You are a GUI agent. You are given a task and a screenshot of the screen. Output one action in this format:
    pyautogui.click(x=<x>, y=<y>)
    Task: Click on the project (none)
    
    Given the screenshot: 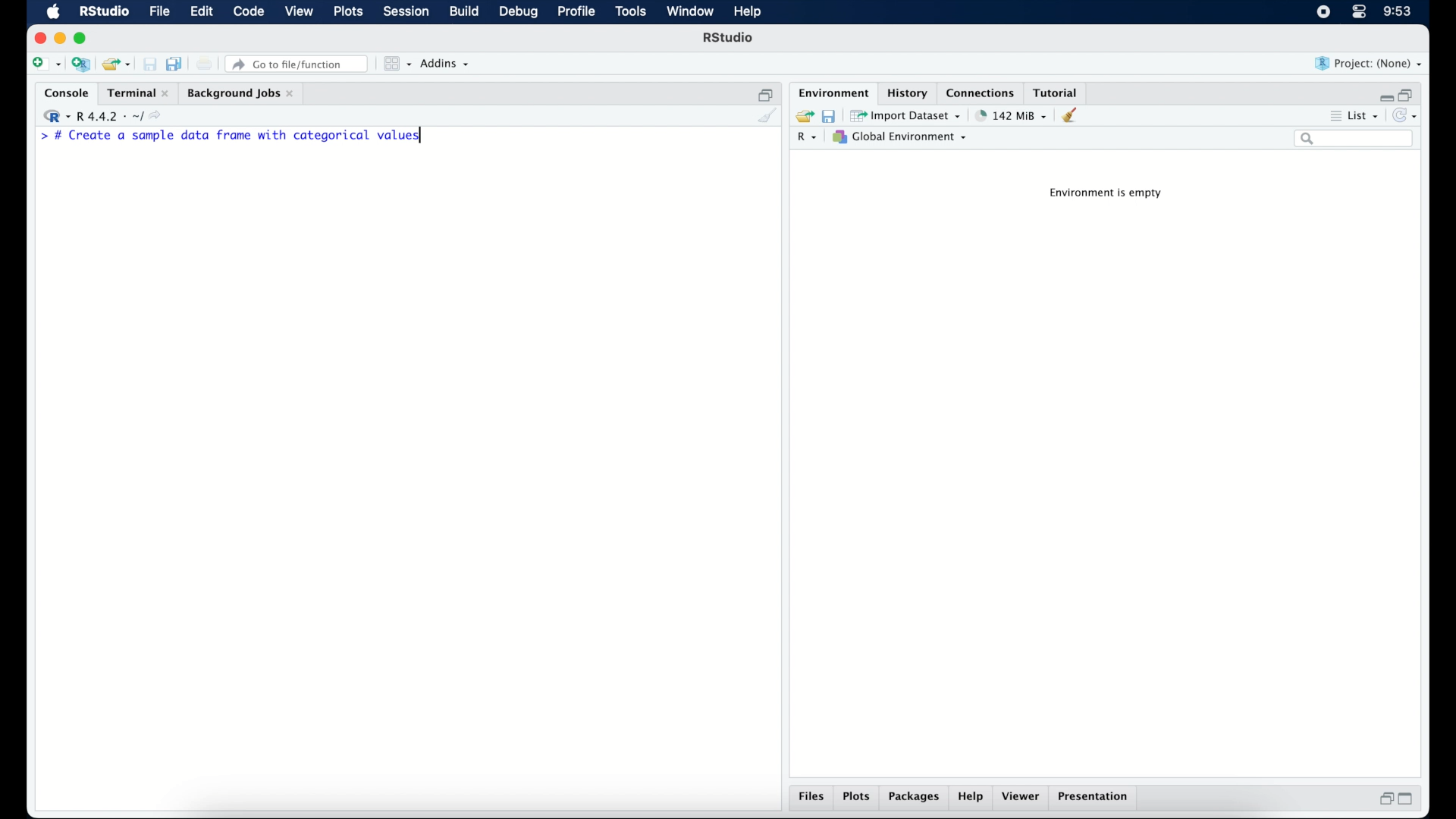 What is the action you would take?
    pyautogui.click(x=1369, y=63)
    